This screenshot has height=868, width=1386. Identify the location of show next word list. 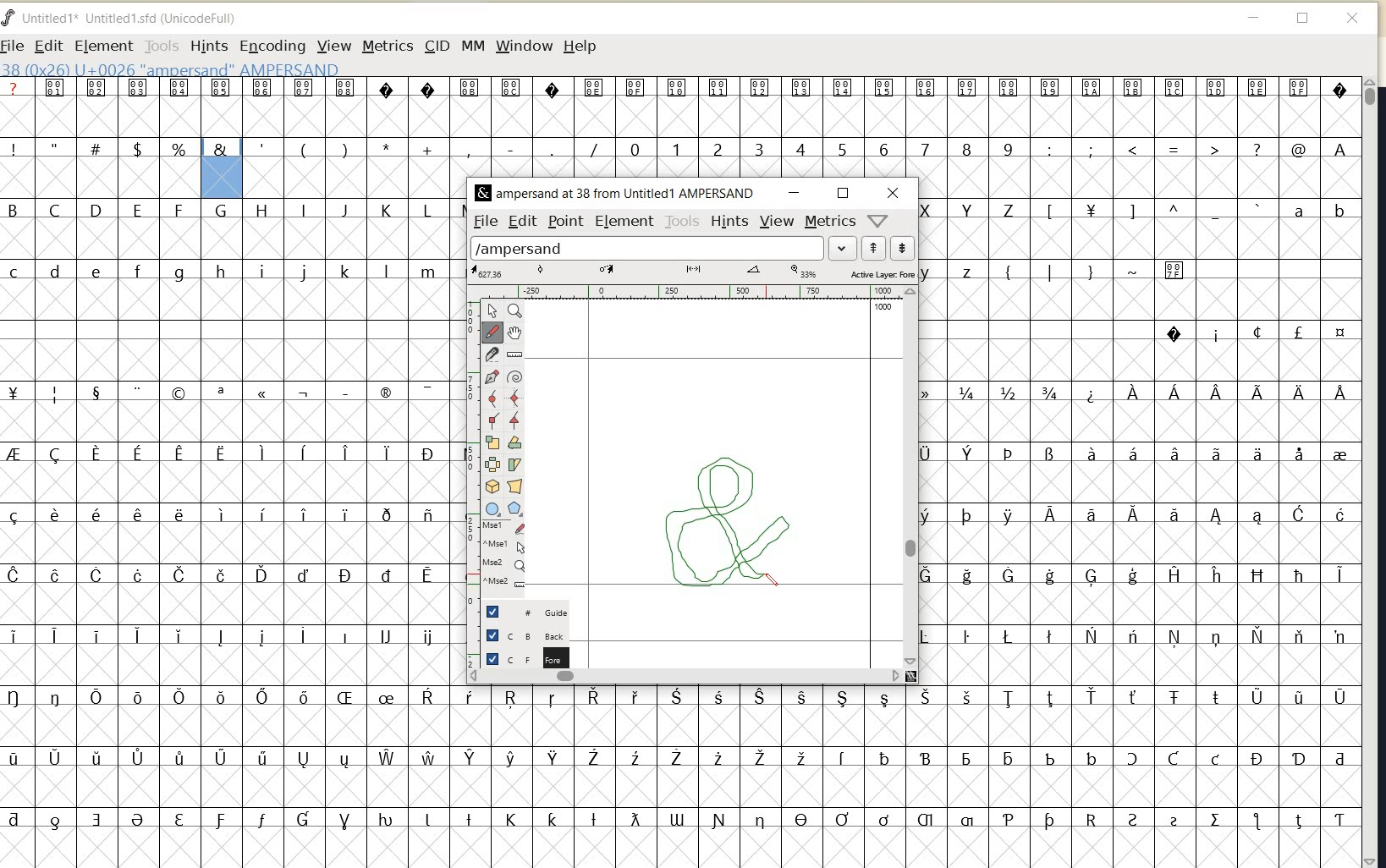
(902, 249).